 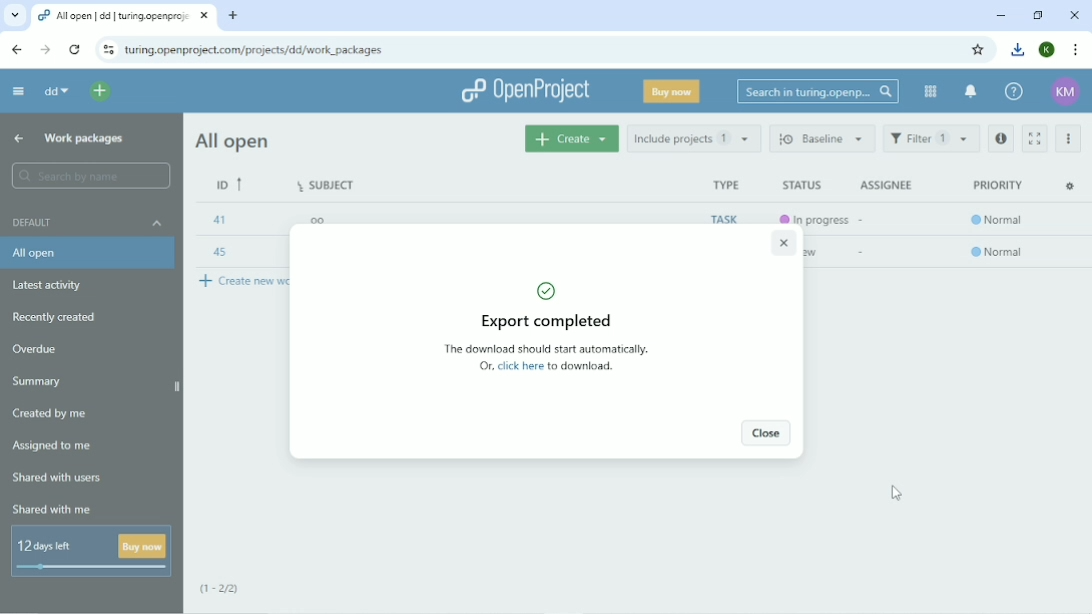 What do you see at coordinates (1002, 139) in the screenshot?
I see `Open details view` at bounding box center [1002, 139].